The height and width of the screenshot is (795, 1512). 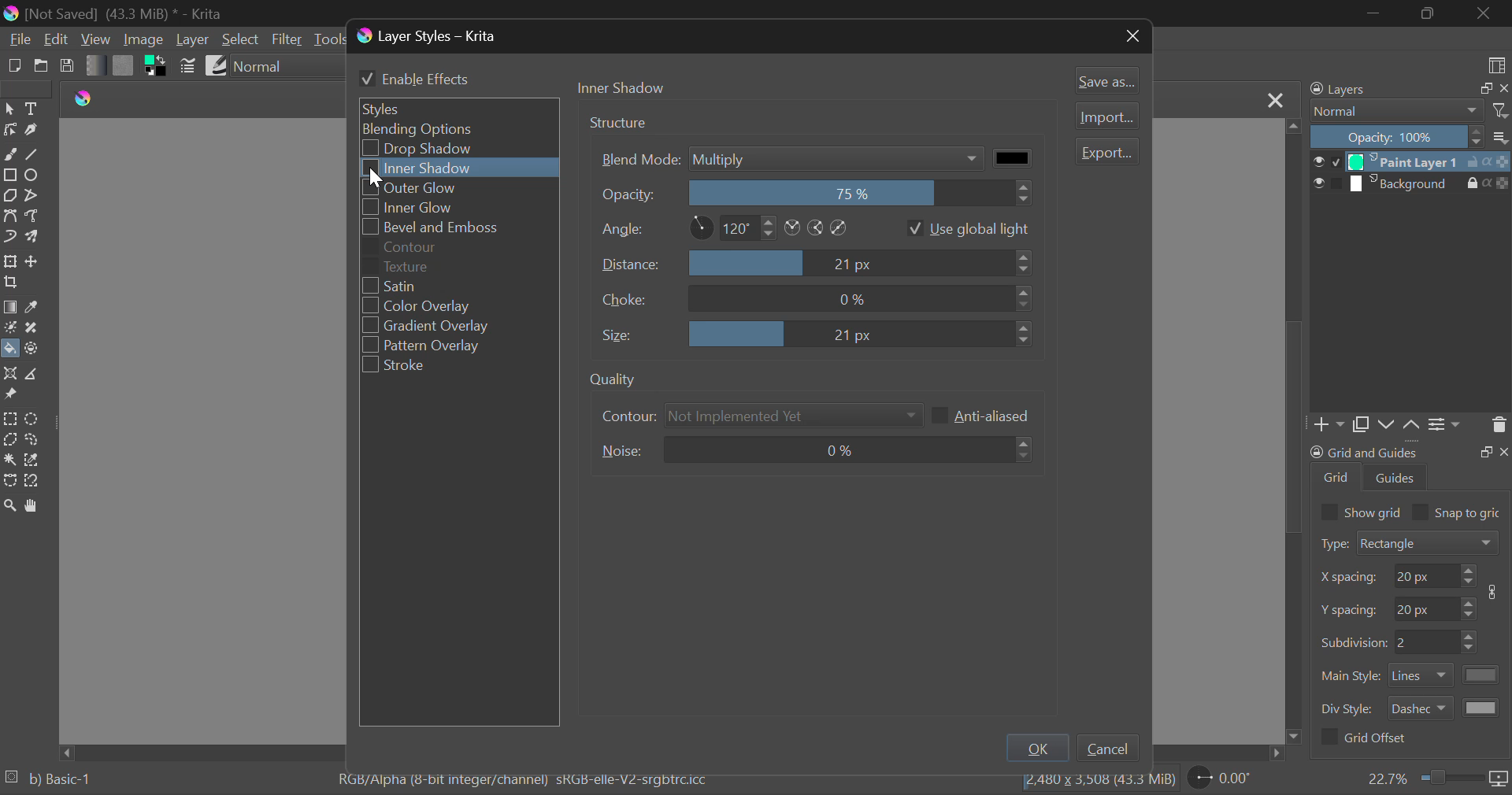 I want to click on Noise, so click(x=819, y=450).